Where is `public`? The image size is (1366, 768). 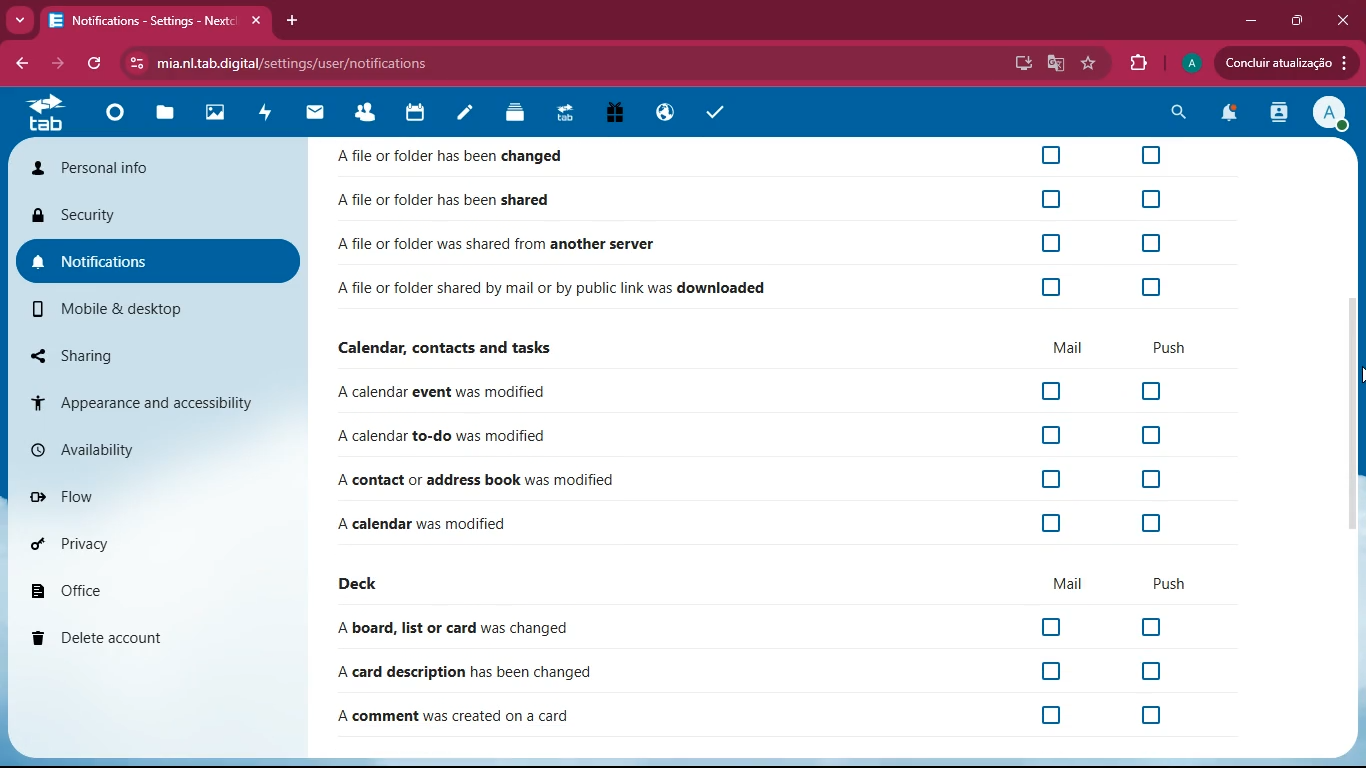
public is located at coordinates (664, 113).